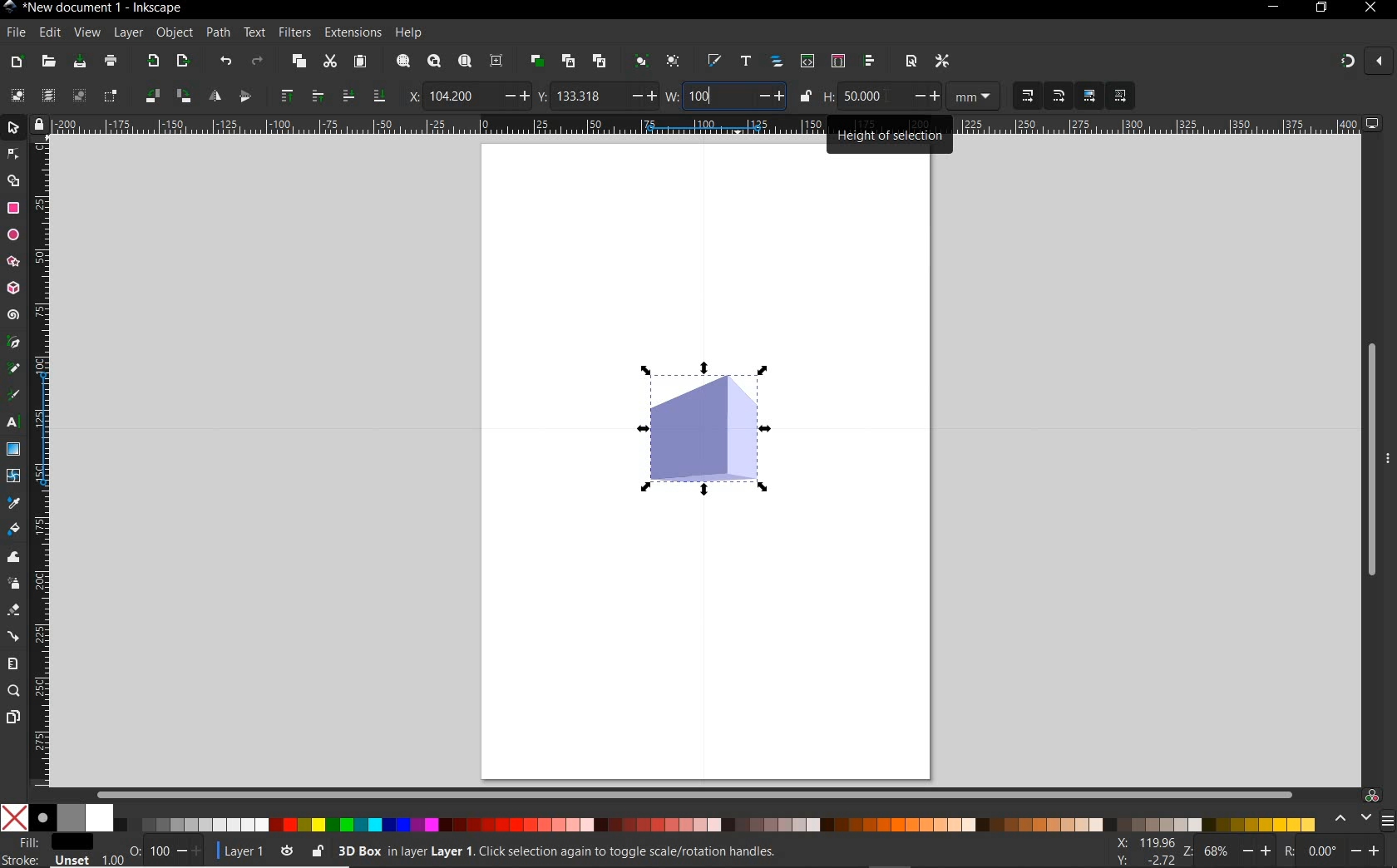 This screenshot has width=1397, height=868. What do you see at coordinates (1378, 60) in the screenshot?
I see `close` at bounding box center [1378, 60].